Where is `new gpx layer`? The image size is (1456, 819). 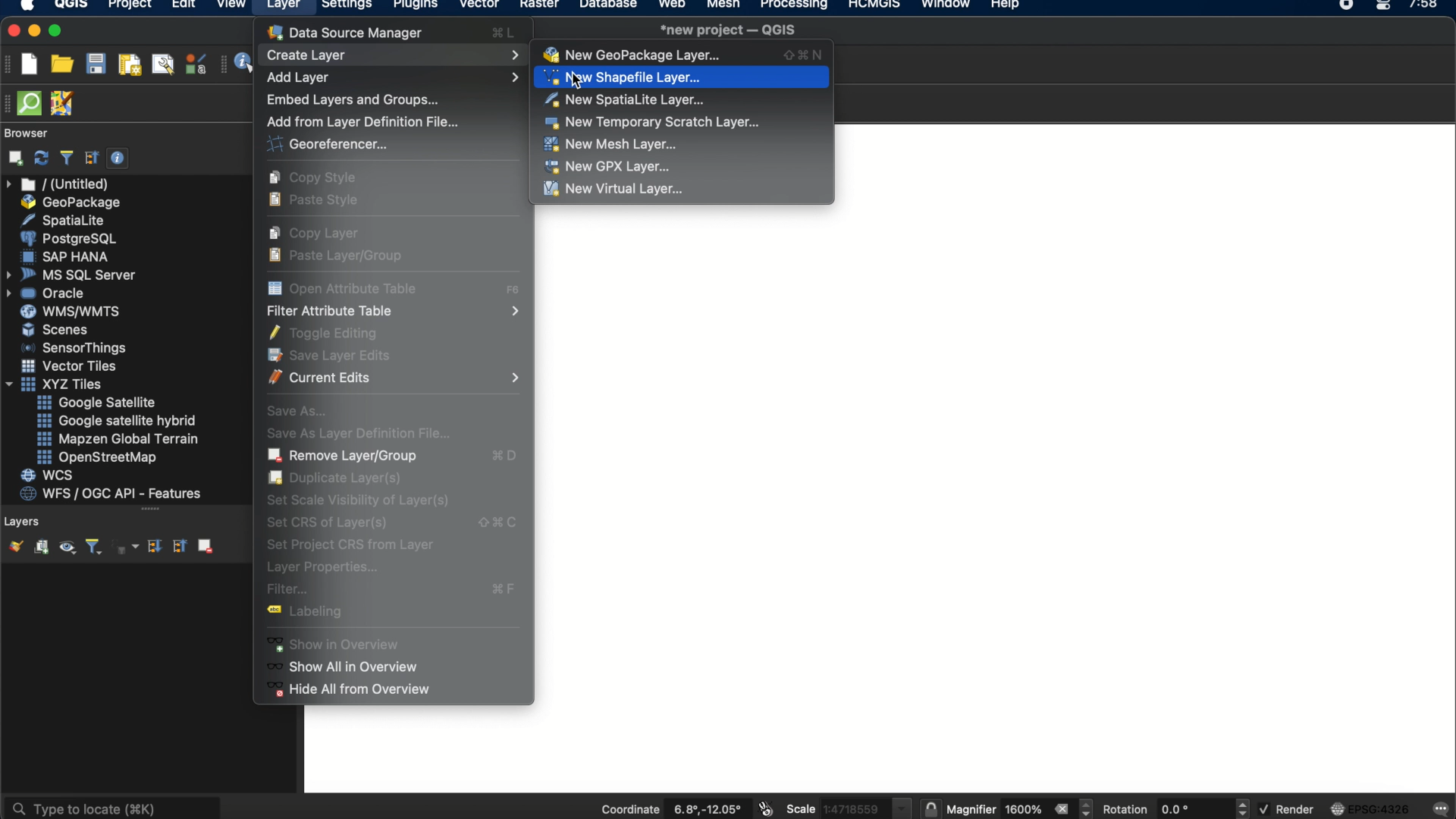 new gpx layer is located at coordinates (609, 166).